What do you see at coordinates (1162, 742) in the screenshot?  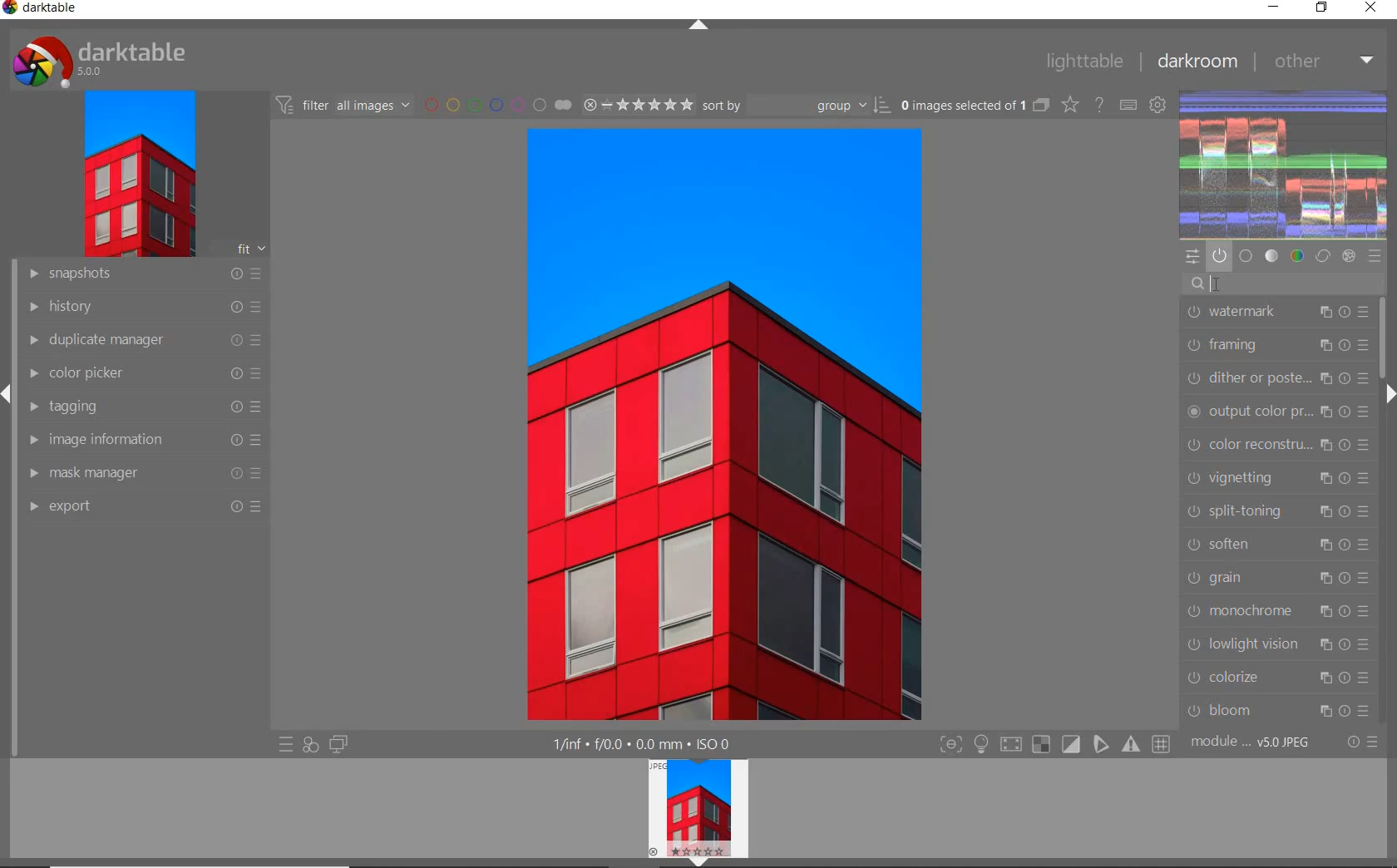 I see `grid overlay` at bounding box center [1162, 742].